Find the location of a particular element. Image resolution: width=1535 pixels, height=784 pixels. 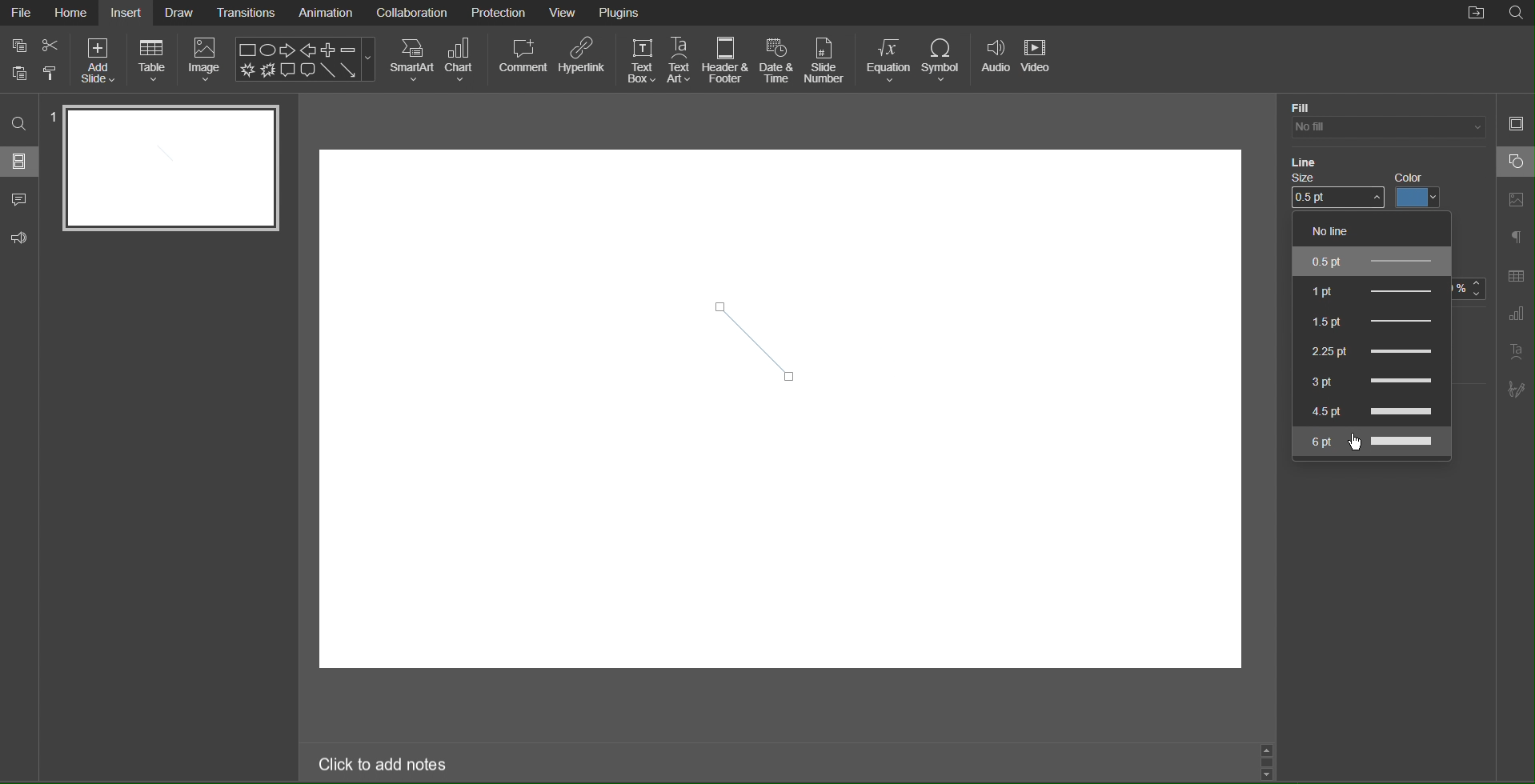

Feedback and Support is located at coordinates (19, 238).